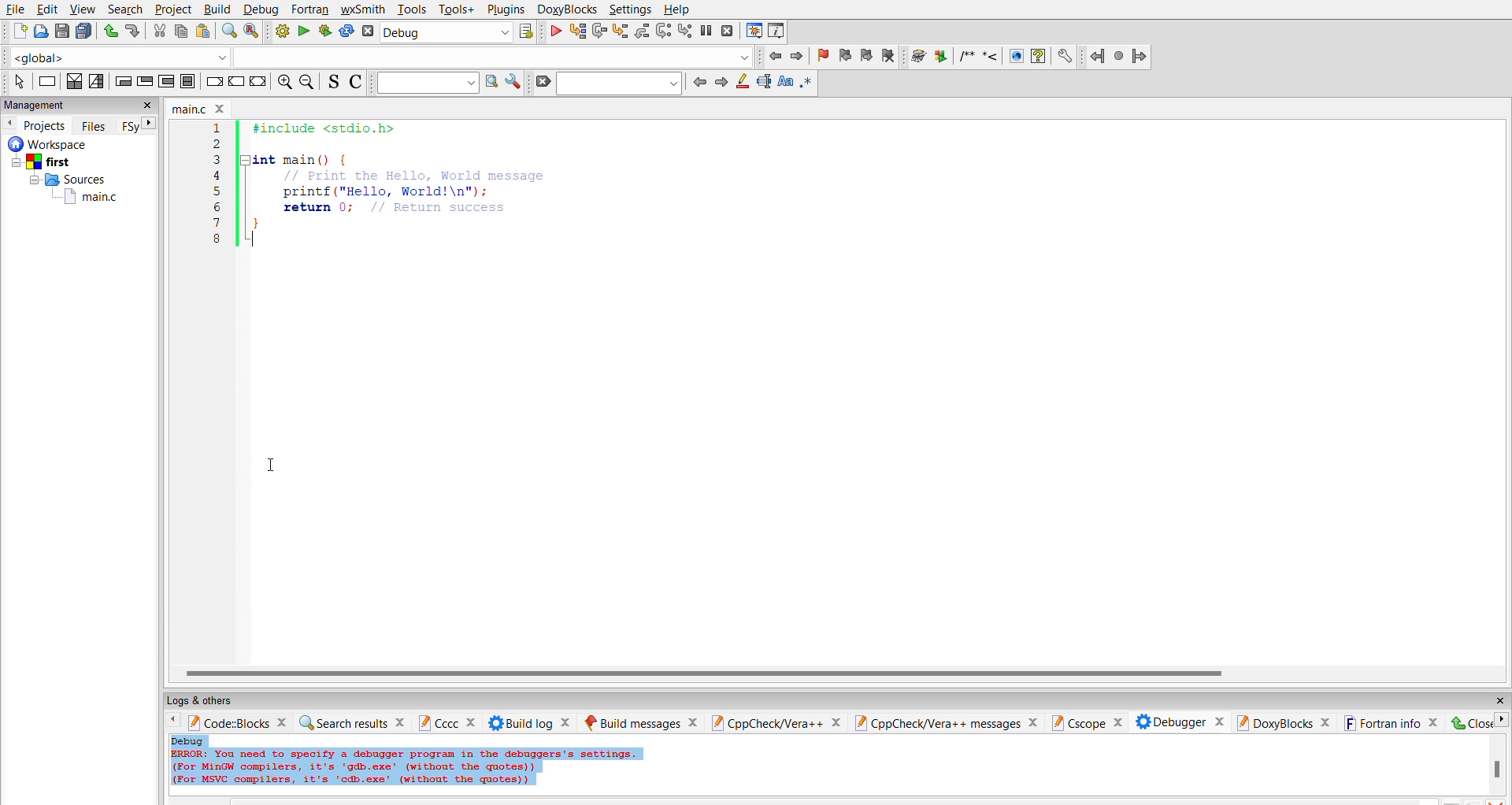  Describe the element at coordinates (252, 31) in the screenshot. I see `replace` at that location.